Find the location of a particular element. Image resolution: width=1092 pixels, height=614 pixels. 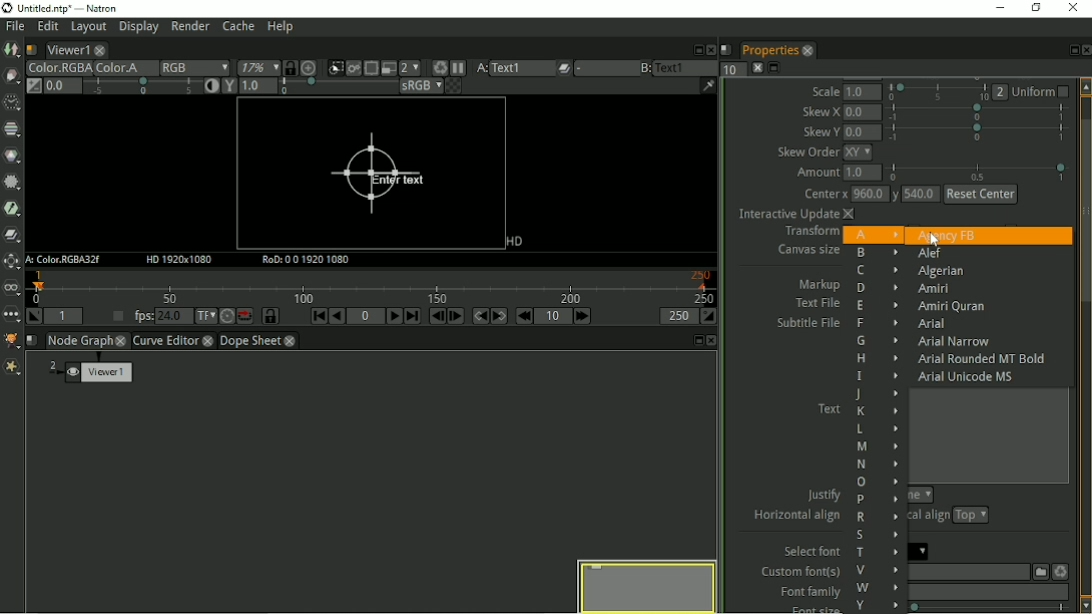

top is located at coordinates (971, 516).